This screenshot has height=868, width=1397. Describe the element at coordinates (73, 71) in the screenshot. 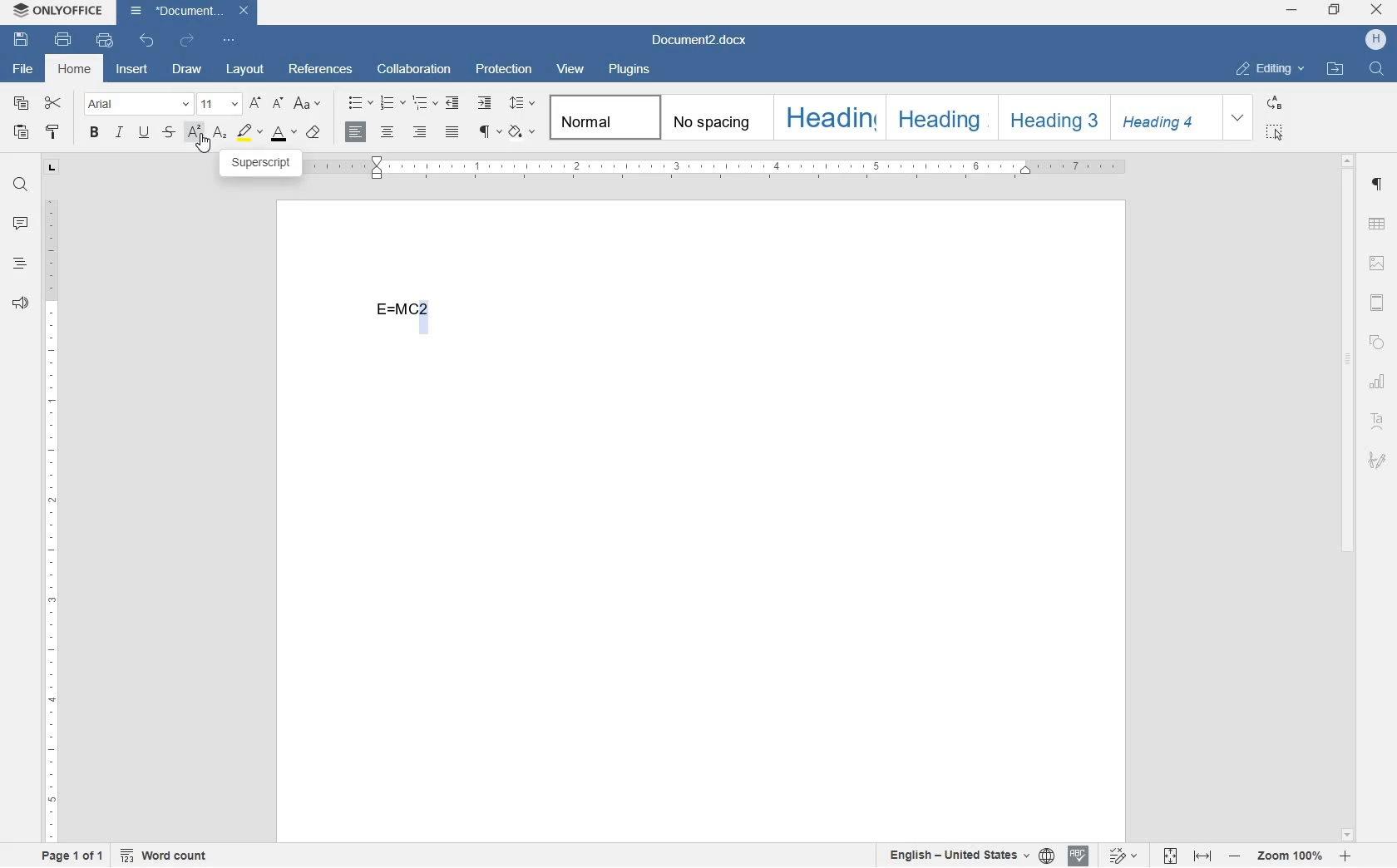

I see `home` at that location.